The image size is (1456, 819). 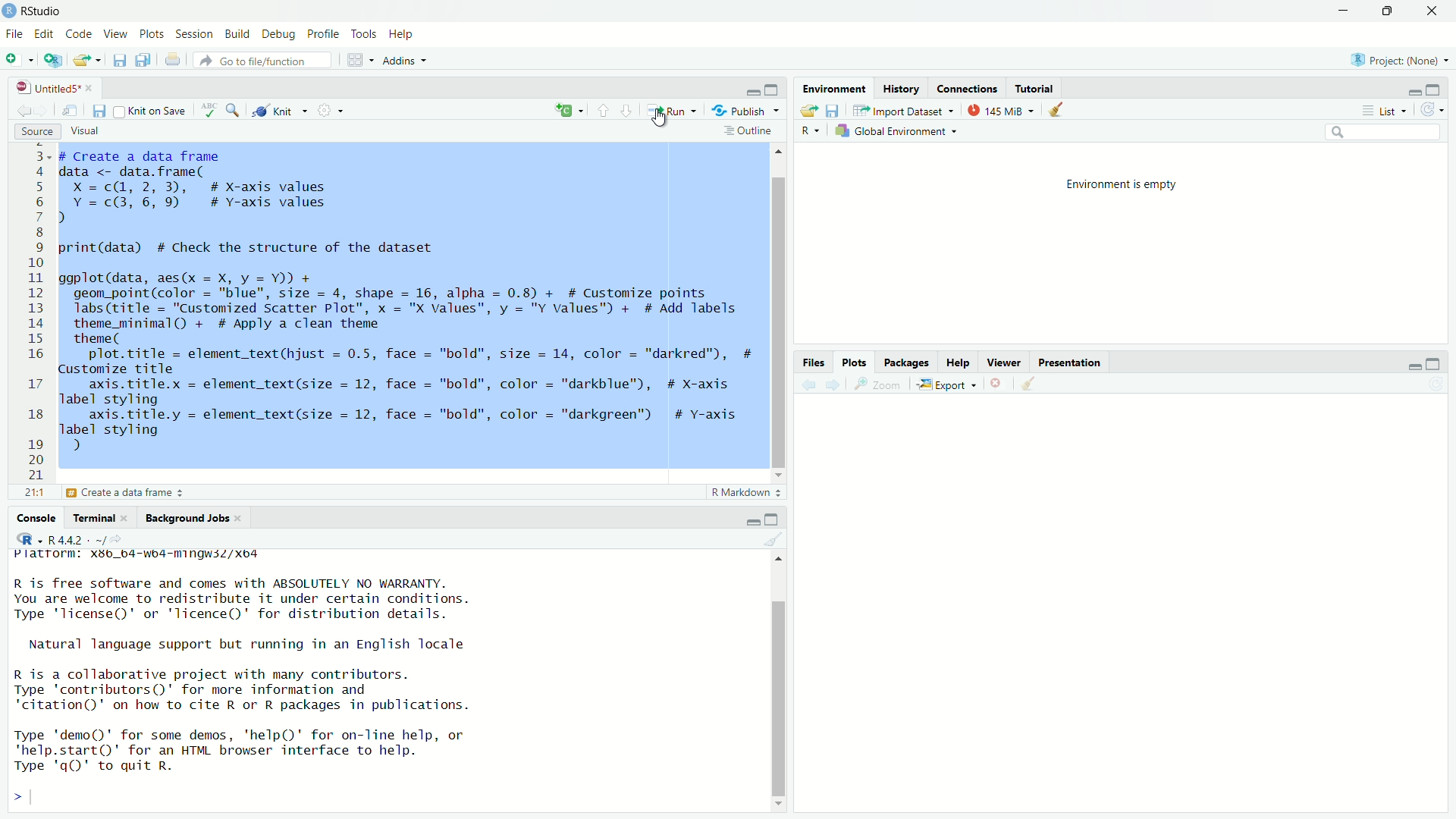 What do you see at coordinates (279, 35) in the screenshot?
I see `Debug` at bounding box center [279, 35].